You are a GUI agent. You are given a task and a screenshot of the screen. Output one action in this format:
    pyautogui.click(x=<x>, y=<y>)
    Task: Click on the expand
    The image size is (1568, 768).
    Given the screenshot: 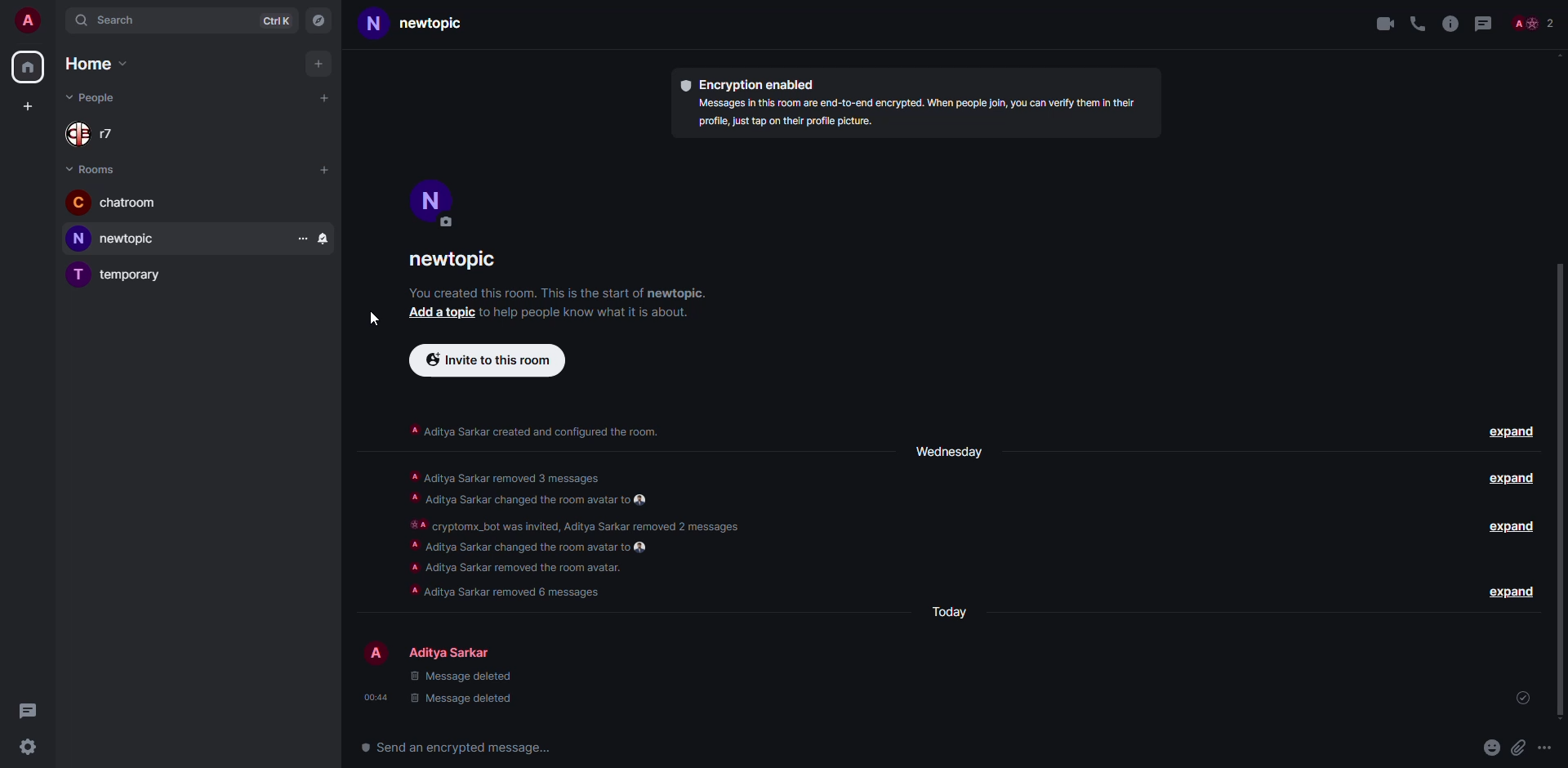 What is the action you would take?
    pyautogui.click(x=1514, y=478)
    